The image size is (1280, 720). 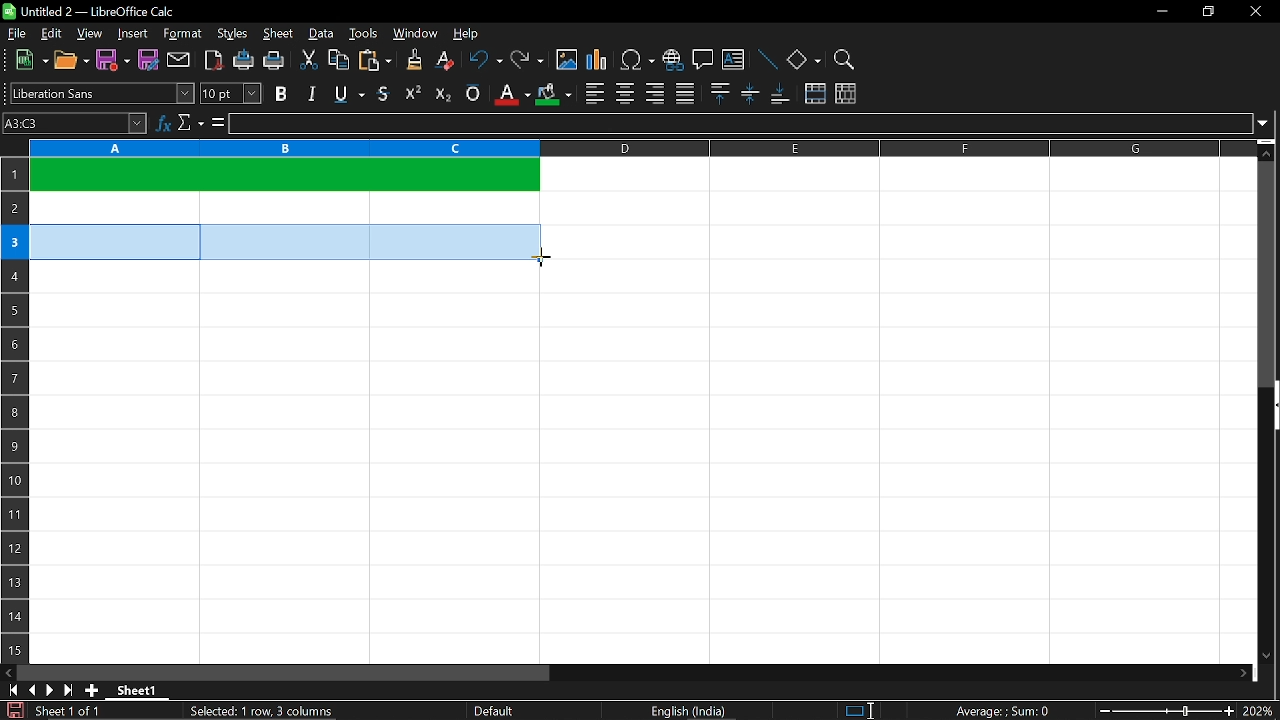 I want to click on text size, so click(x=231, y=93).